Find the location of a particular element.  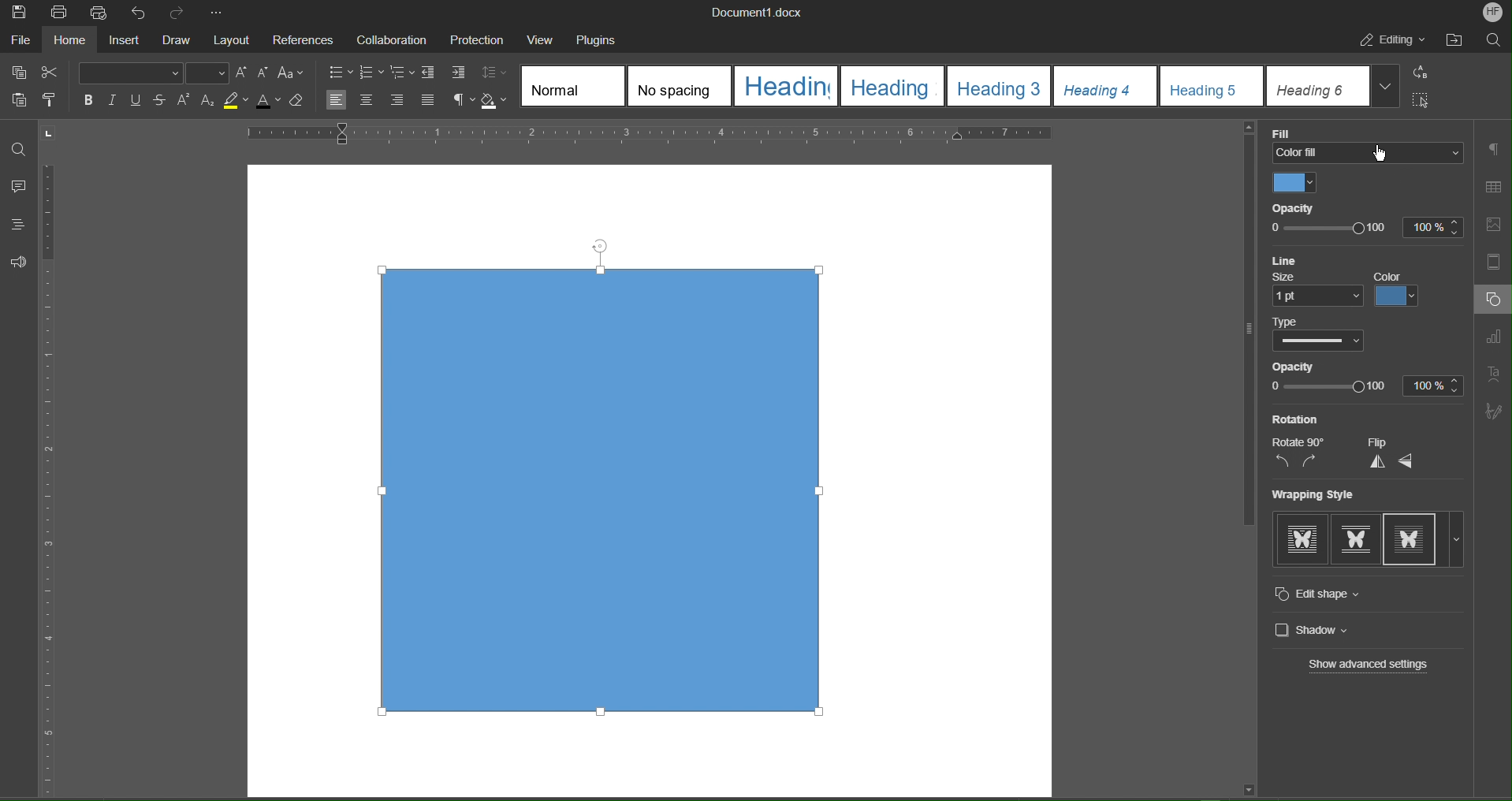

Shape (selected) is located at coordinates (608, 473).